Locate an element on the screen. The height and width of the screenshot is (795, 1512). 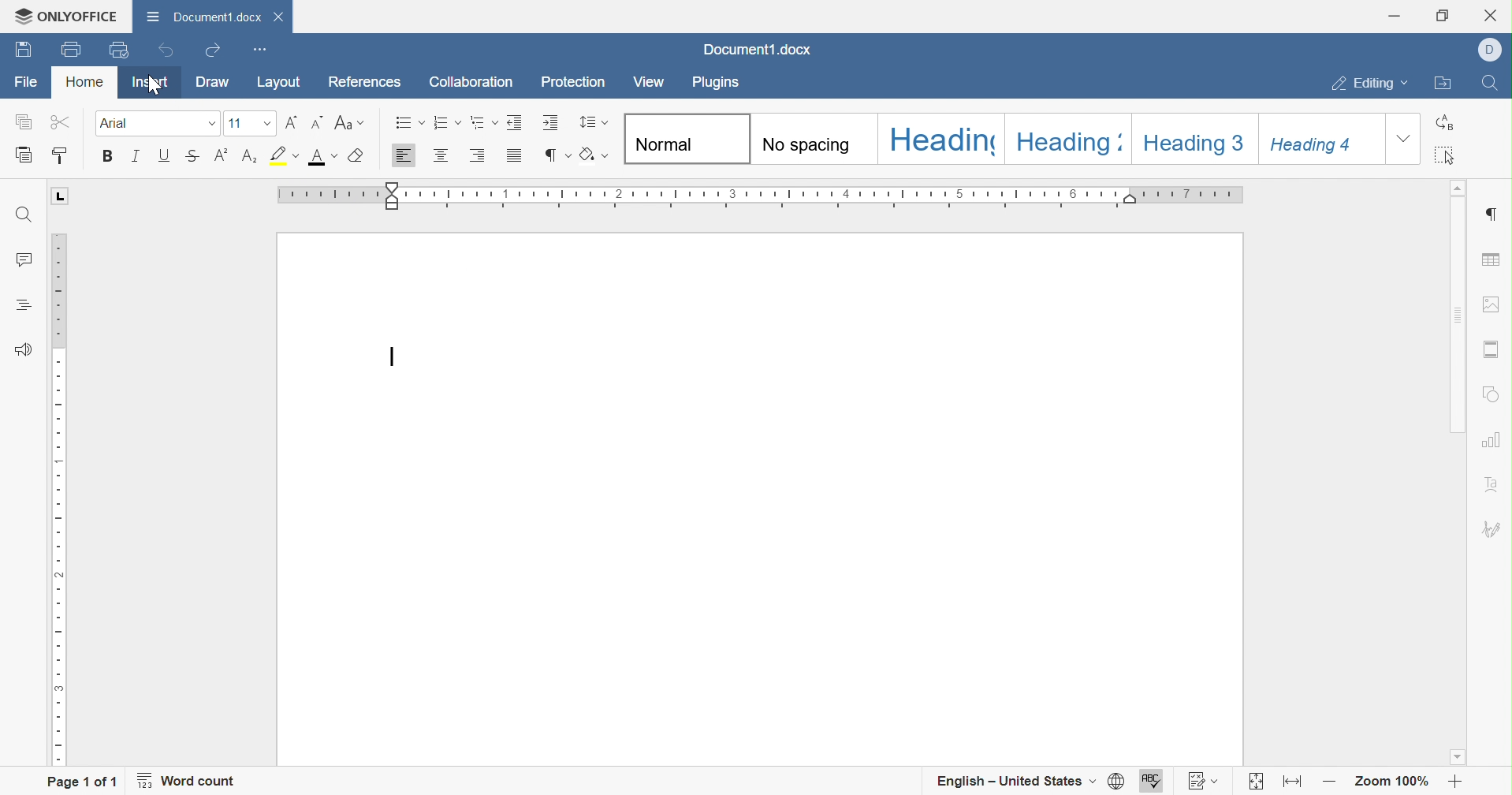
Restore down is located at coordinates (1442, 17).